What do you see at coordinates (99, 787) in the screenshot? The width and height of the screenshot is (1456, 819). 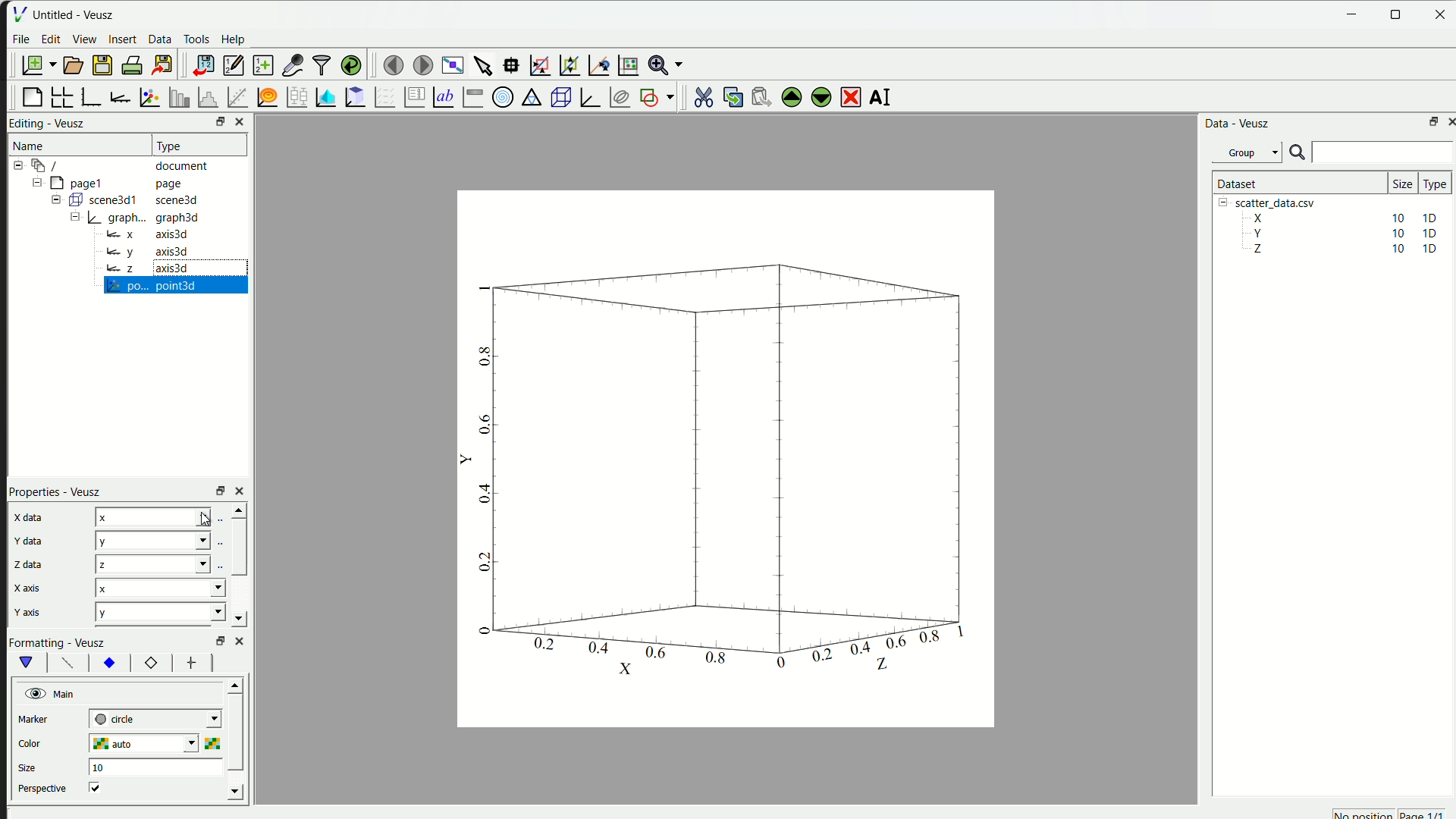 I see `checkbox` at bounding box center [99, 787].